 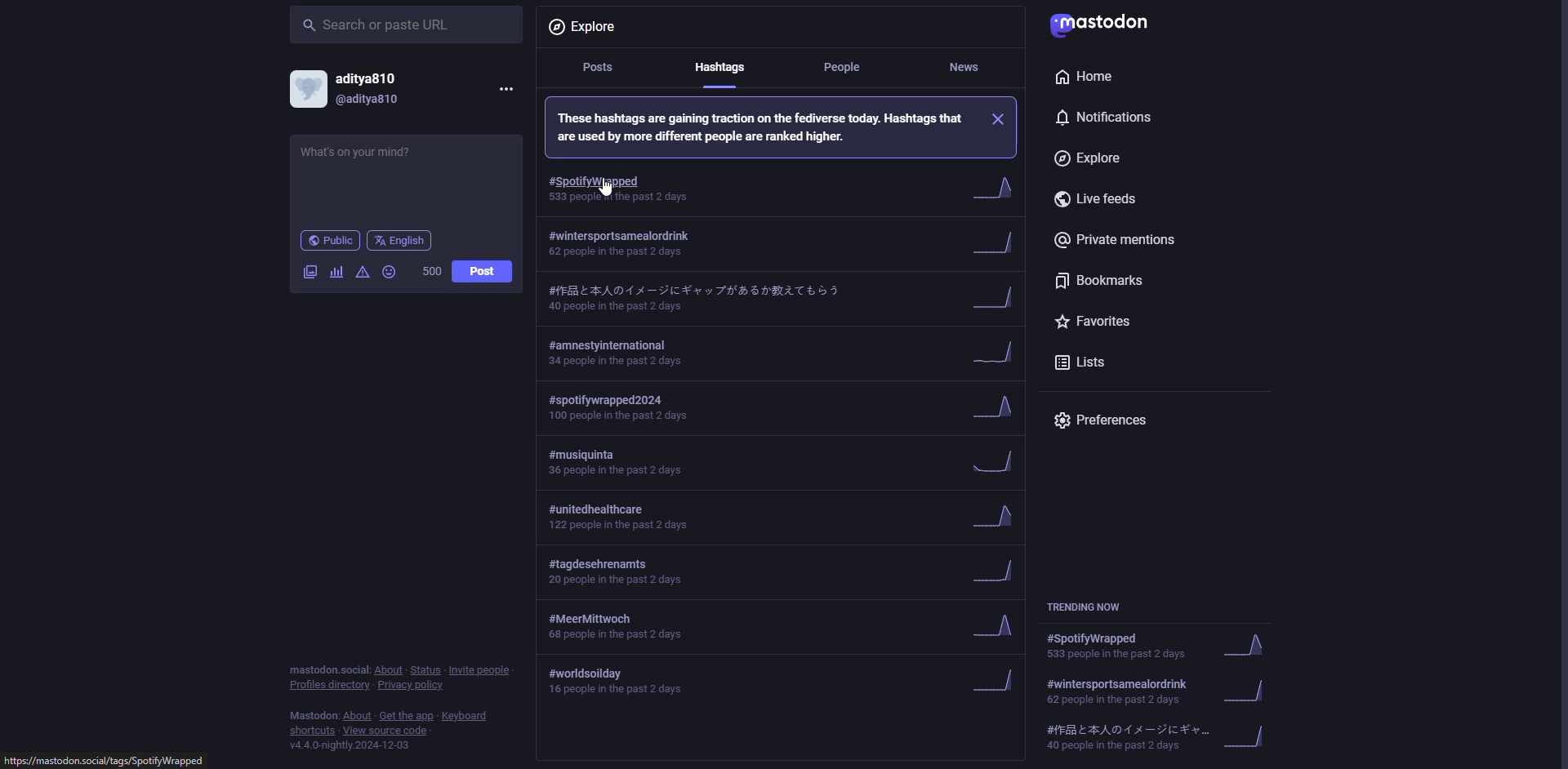 What do you see at coordinates (995, 353) in the screenshot?
I see `trend` at bounding box center [995, 353].